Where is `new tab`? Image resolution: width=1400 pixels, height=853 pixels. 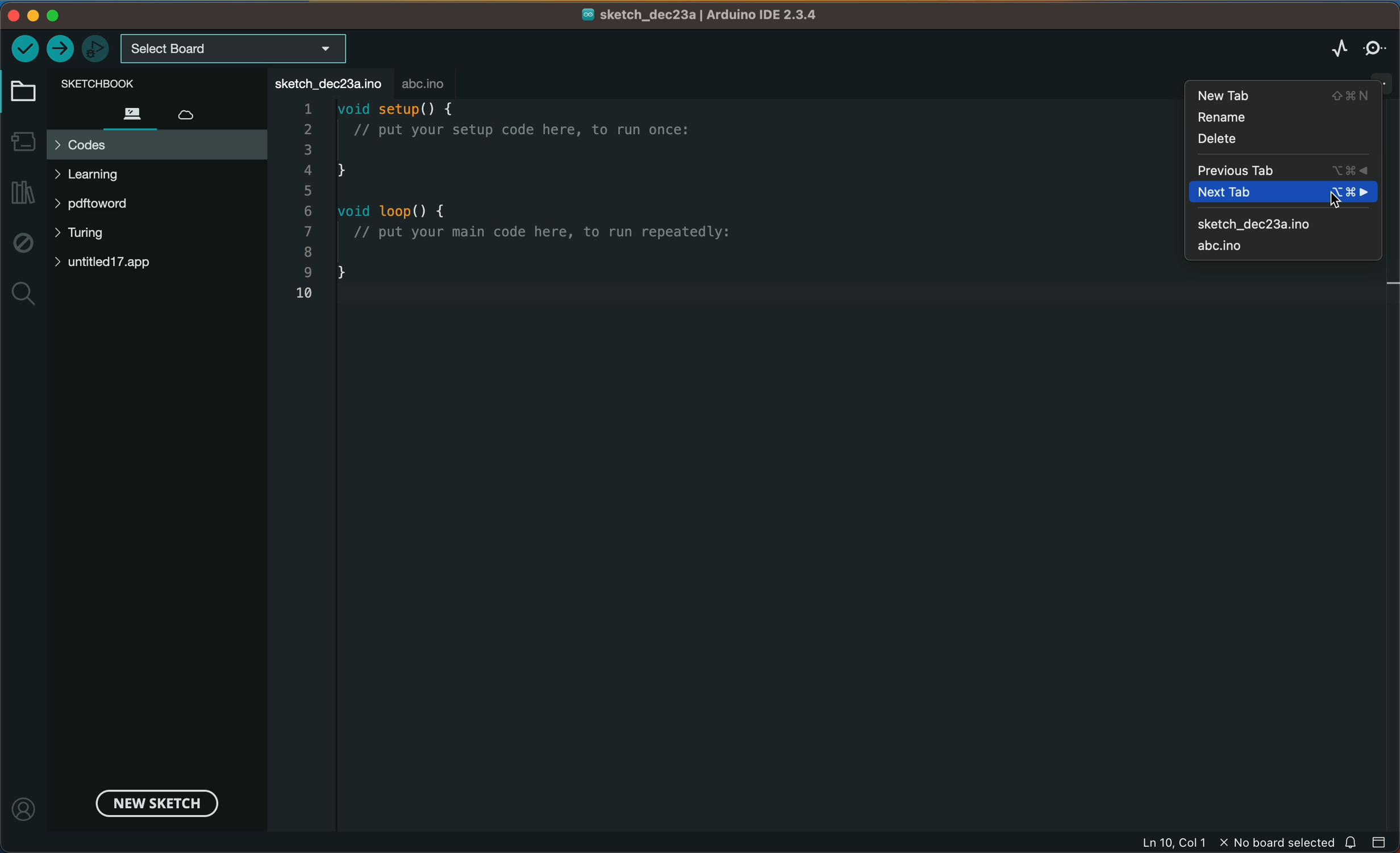
new tab is located at coordinates (1284, 96).